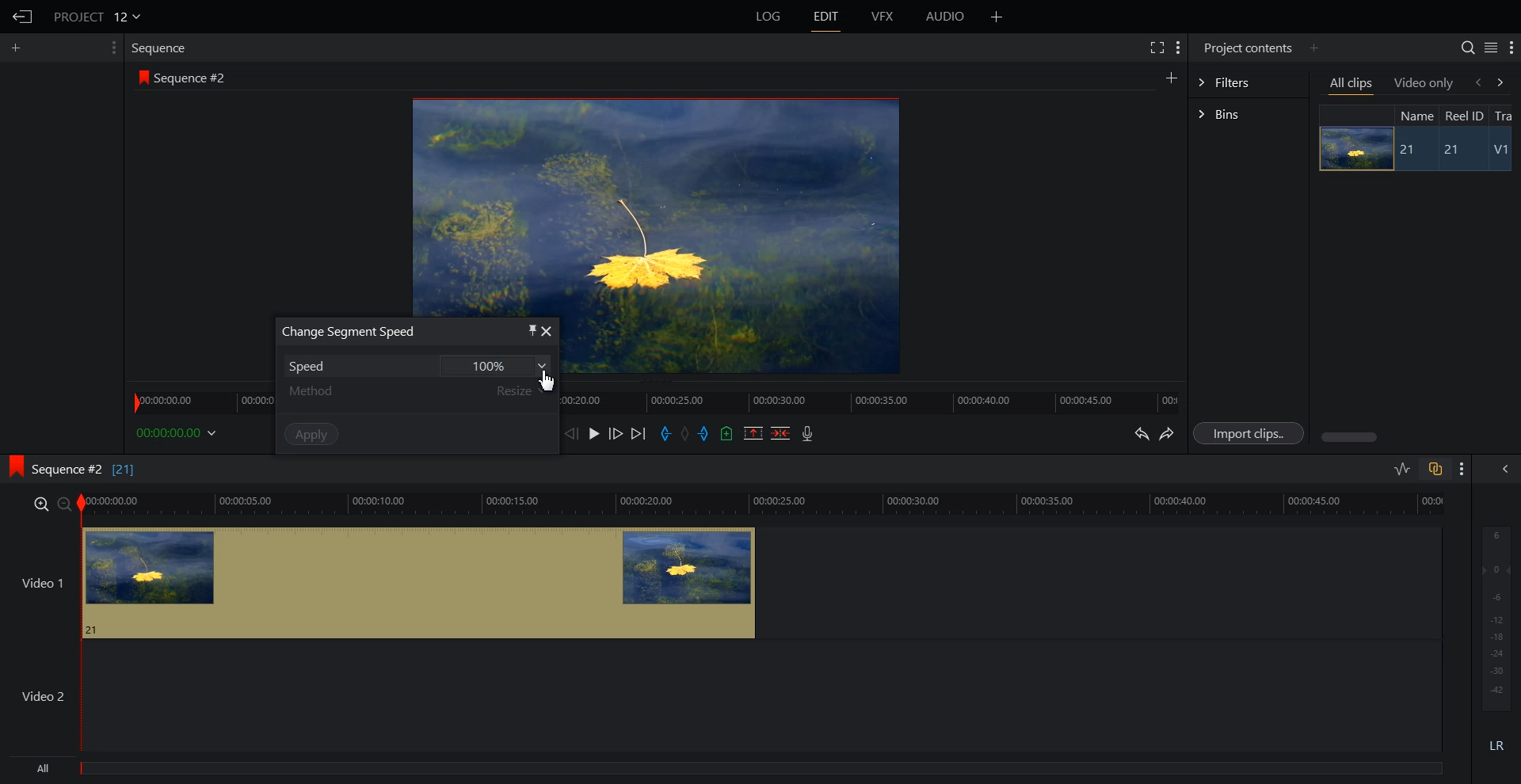 The height and width of the screenshot is (784, 1521). What do you see at coordinates (312, 434) in the screenshot?
I see `Apply` at bounding box center [312, 434].